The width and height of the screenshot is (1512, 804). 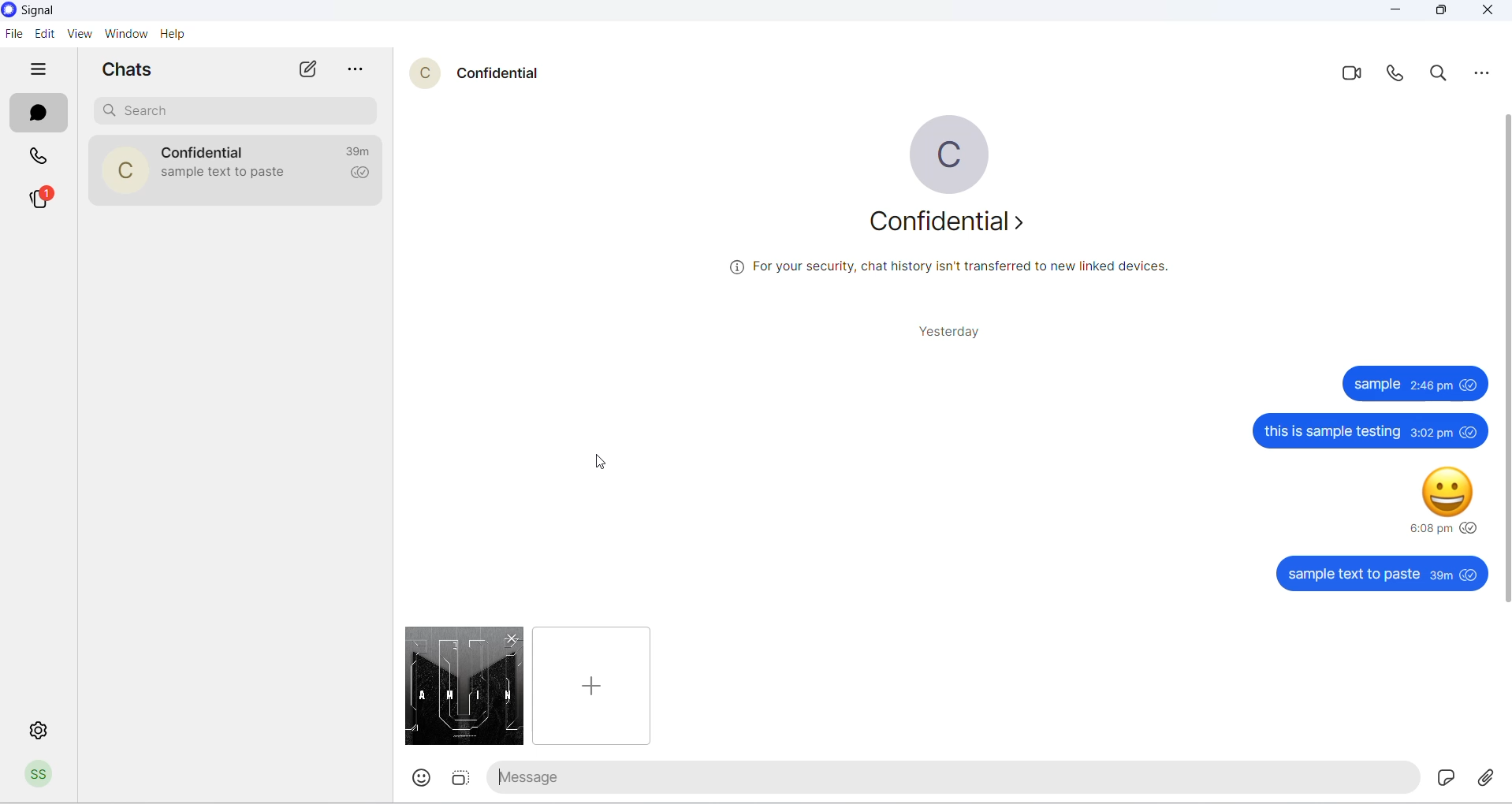 I want to click on Sticker, so click(x=1443, y=776).